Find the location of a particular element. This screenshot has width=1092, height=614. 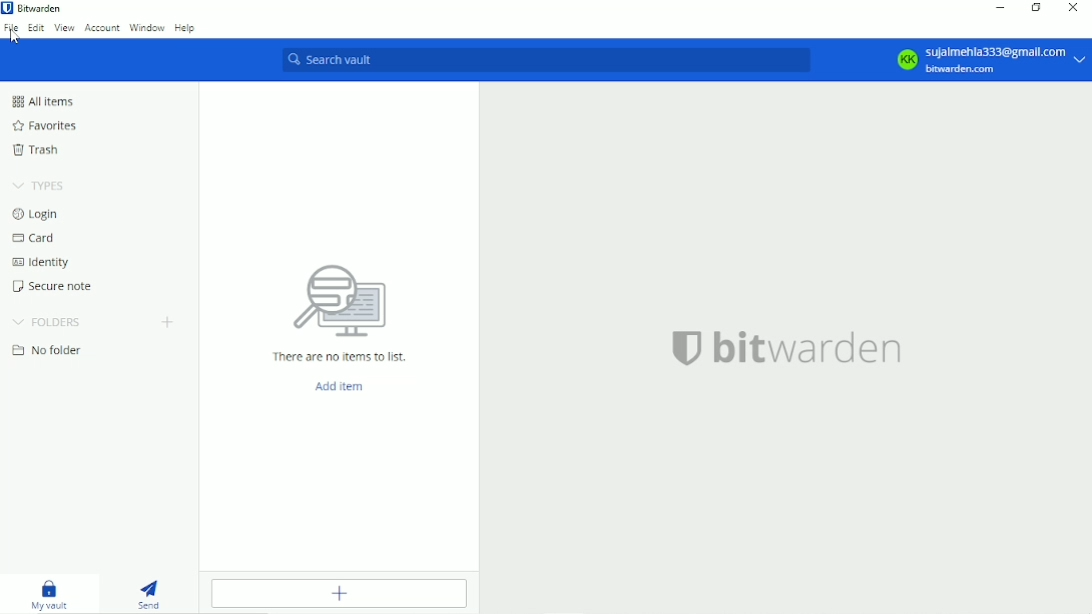

View is located at coordinates (65, 27).